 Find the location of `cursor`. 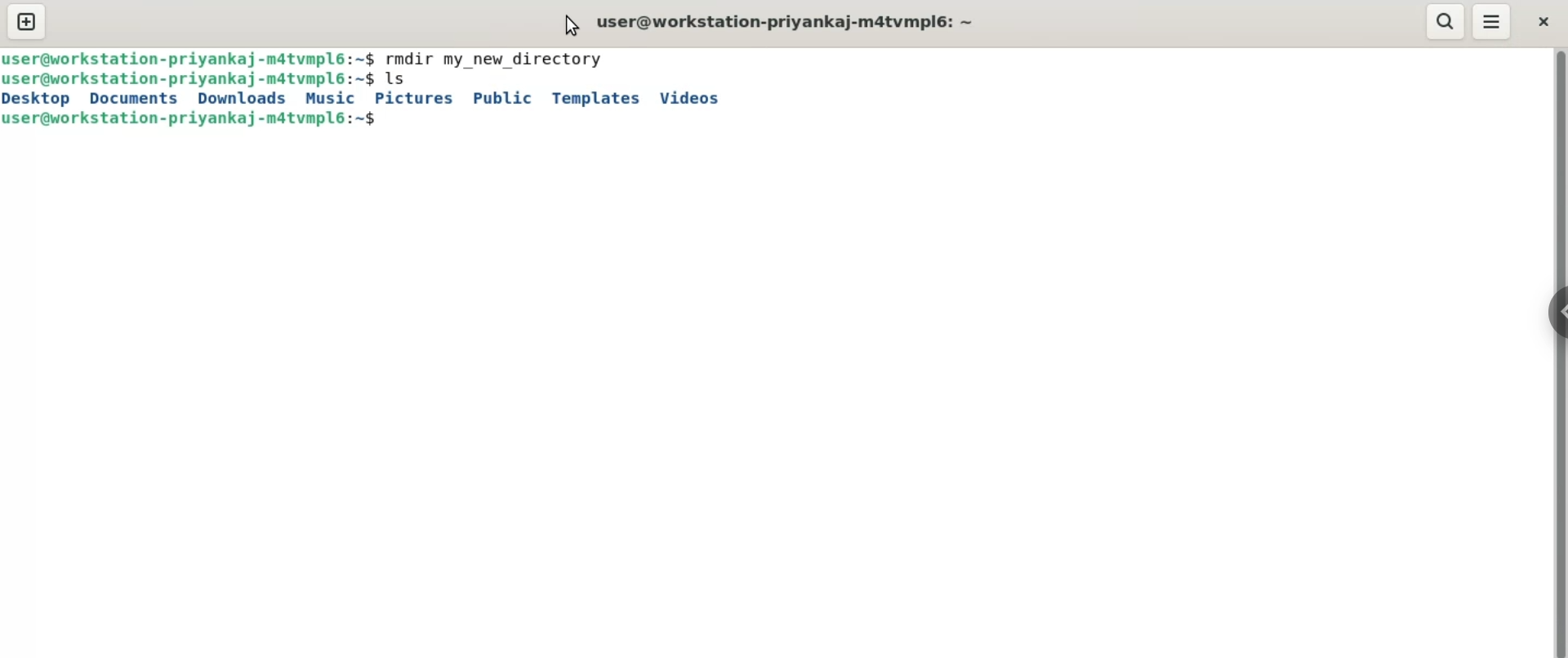

cursor is located at coordinates (565, 25).